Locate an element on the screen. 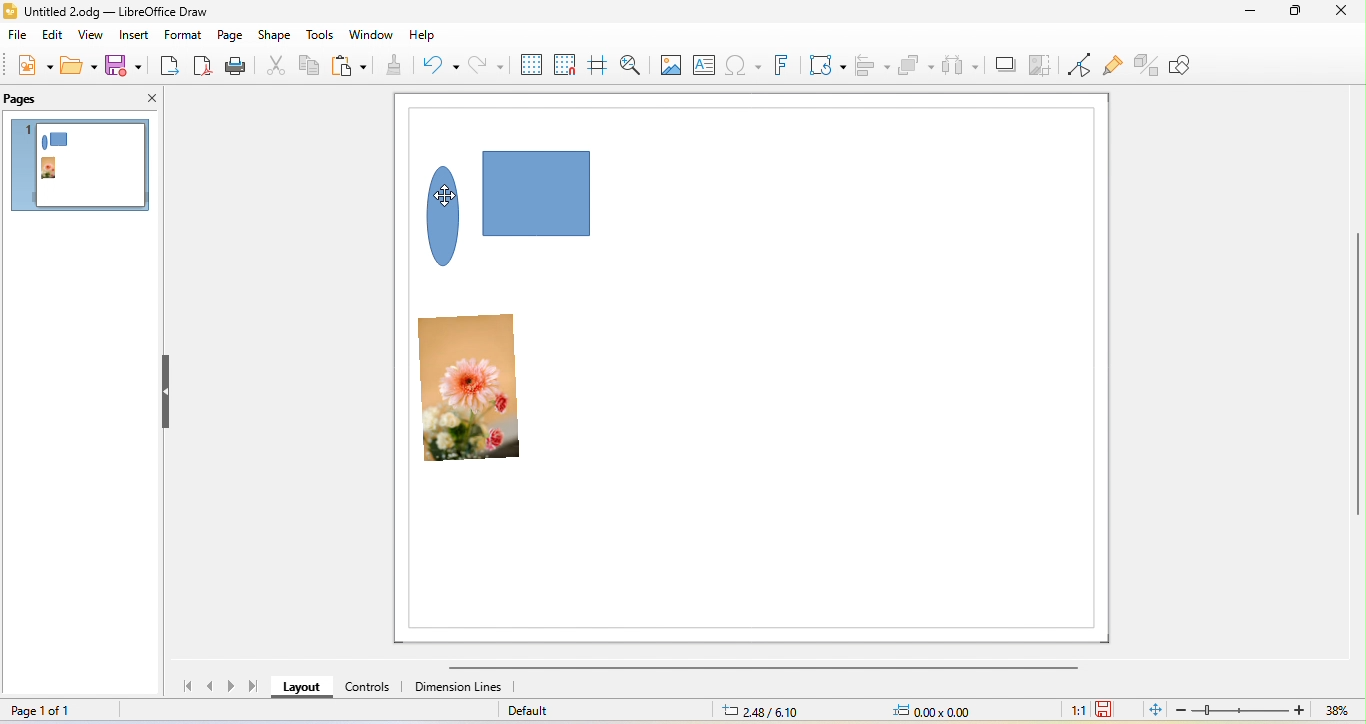 The height and width of the screenshot is (724, 1366). export is located at coordinates (170, 67).